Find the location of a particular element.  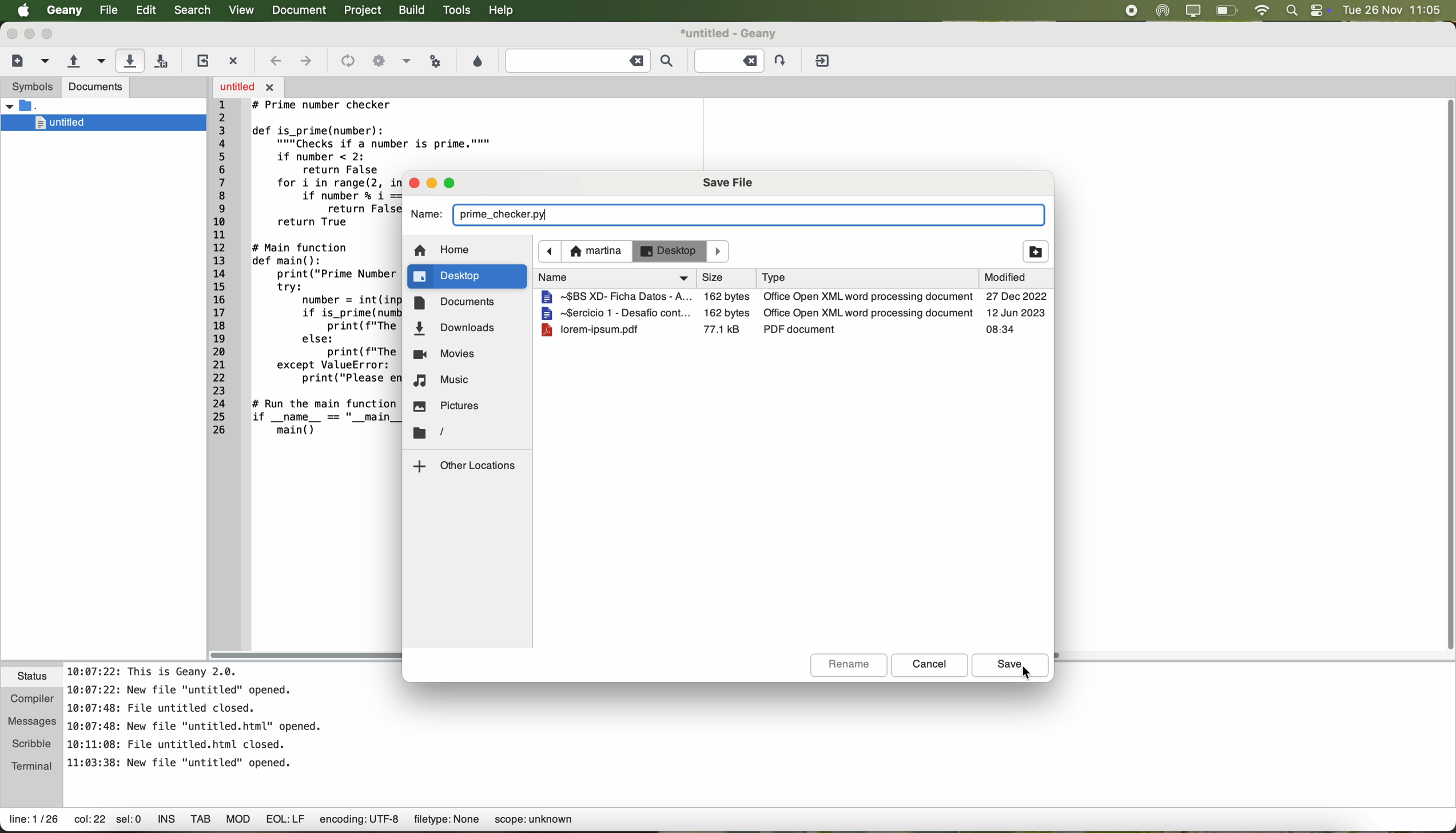

compiler is located at coordinates (33, 697).